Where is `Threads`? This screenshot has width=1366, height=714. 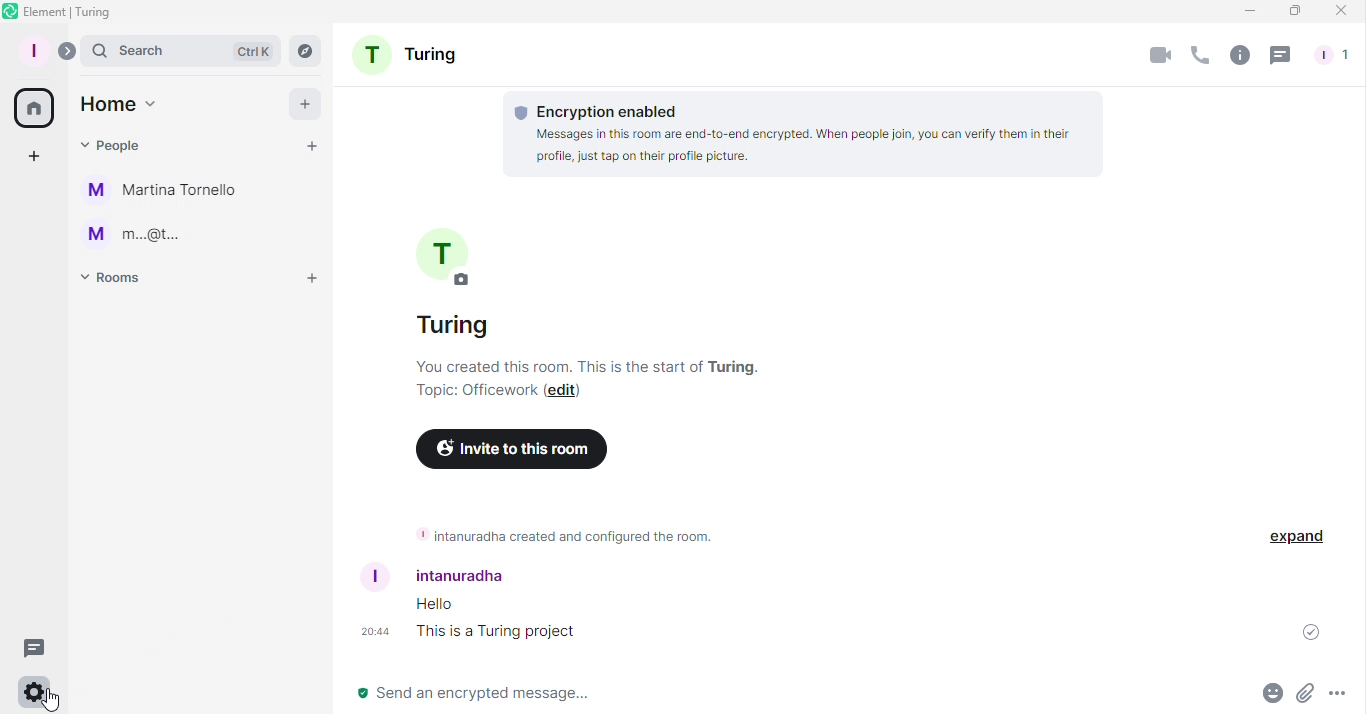 Threads is located at coordinates (38, 647).